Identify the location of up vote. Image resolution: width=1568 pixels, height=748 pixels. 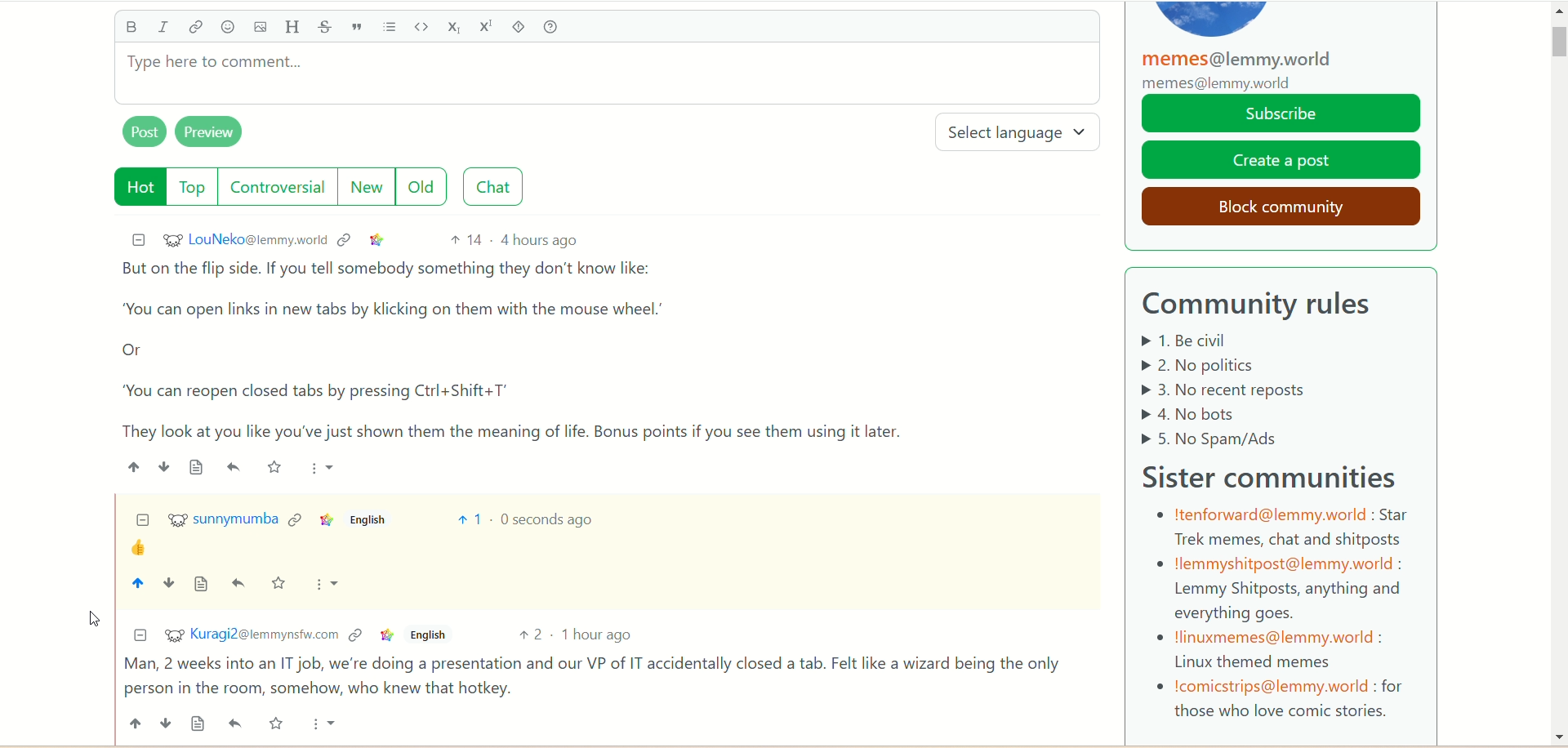
(136, 581).